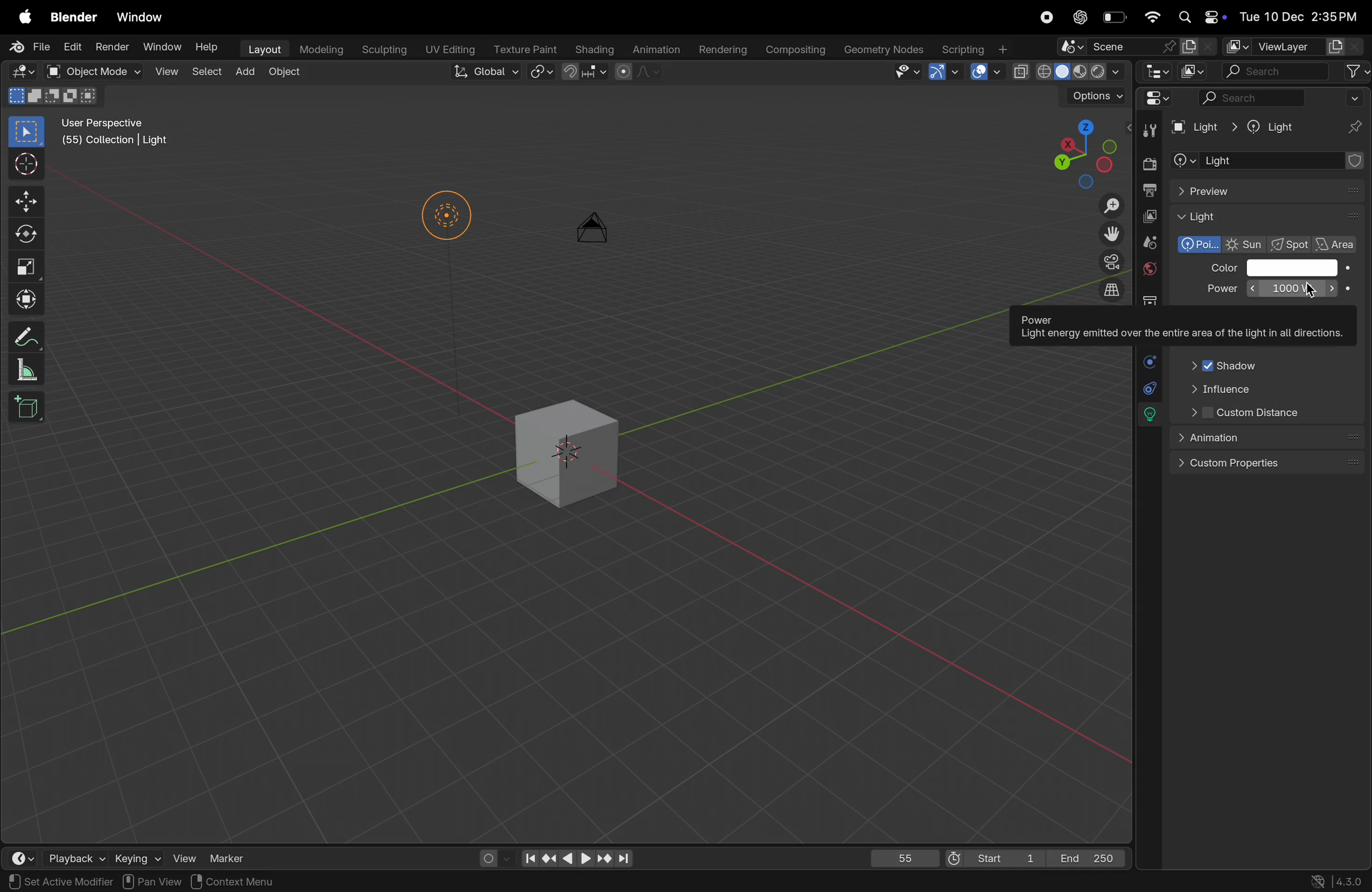 The height and width of the screenshot is (892, 1372). Describe the element at coordinates (209, 882) in the screenshot. I see `Objects` at that location.